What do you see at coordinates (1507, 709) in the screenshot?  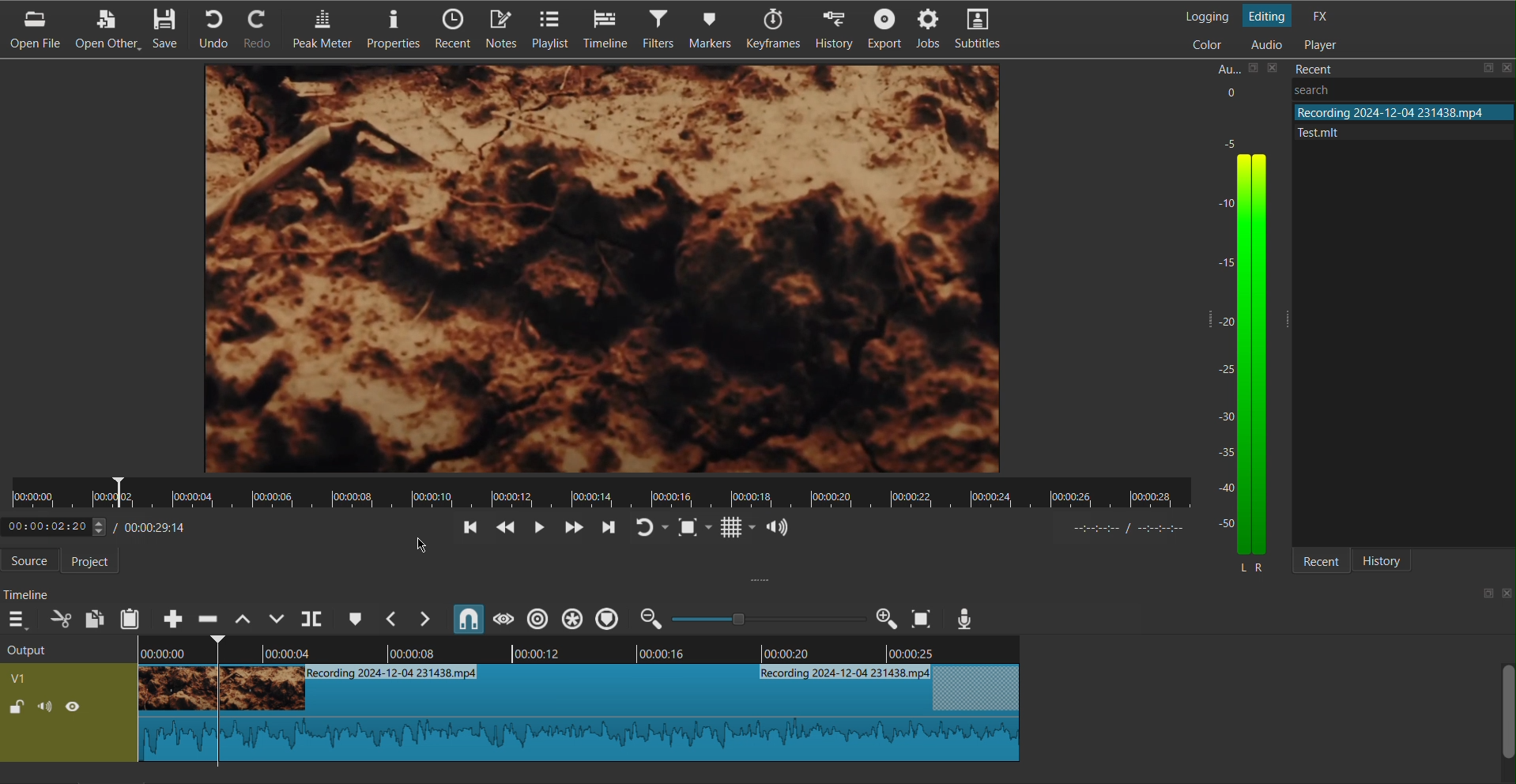 I see `scroll bar` at bounding box center [1507, 709].